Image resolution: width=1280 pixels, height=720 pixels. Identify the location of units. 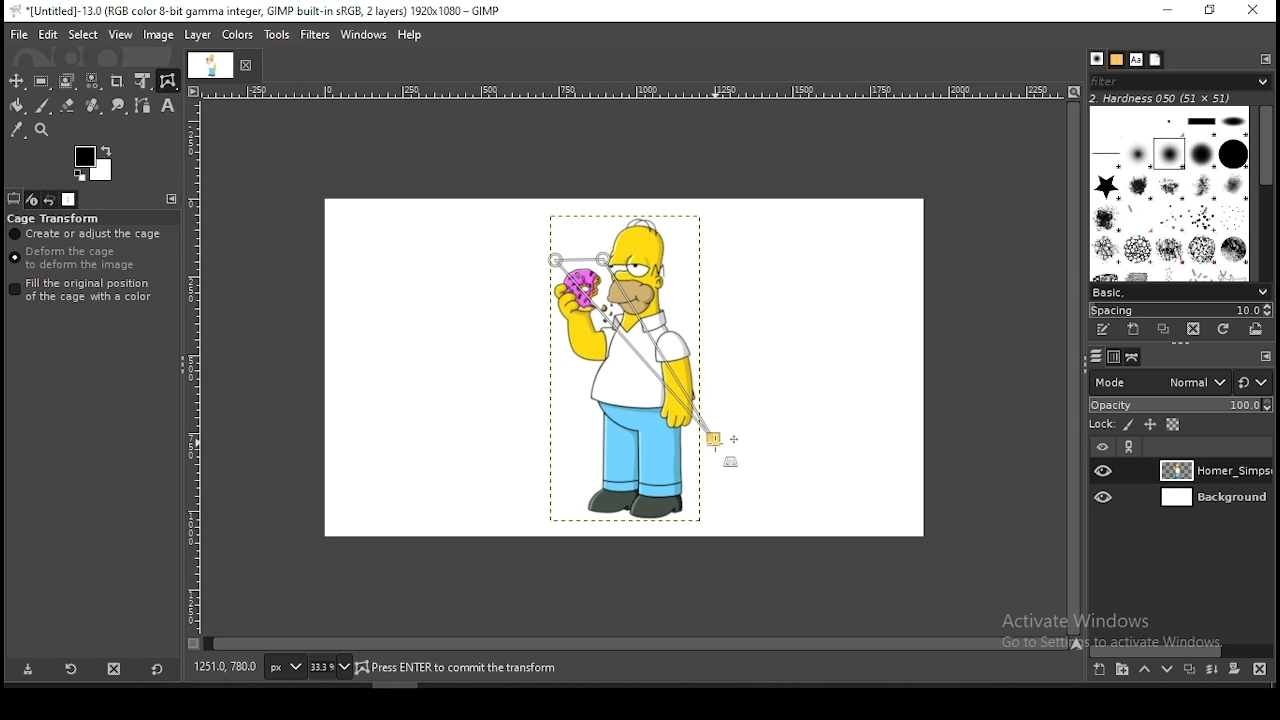
(283, 668).